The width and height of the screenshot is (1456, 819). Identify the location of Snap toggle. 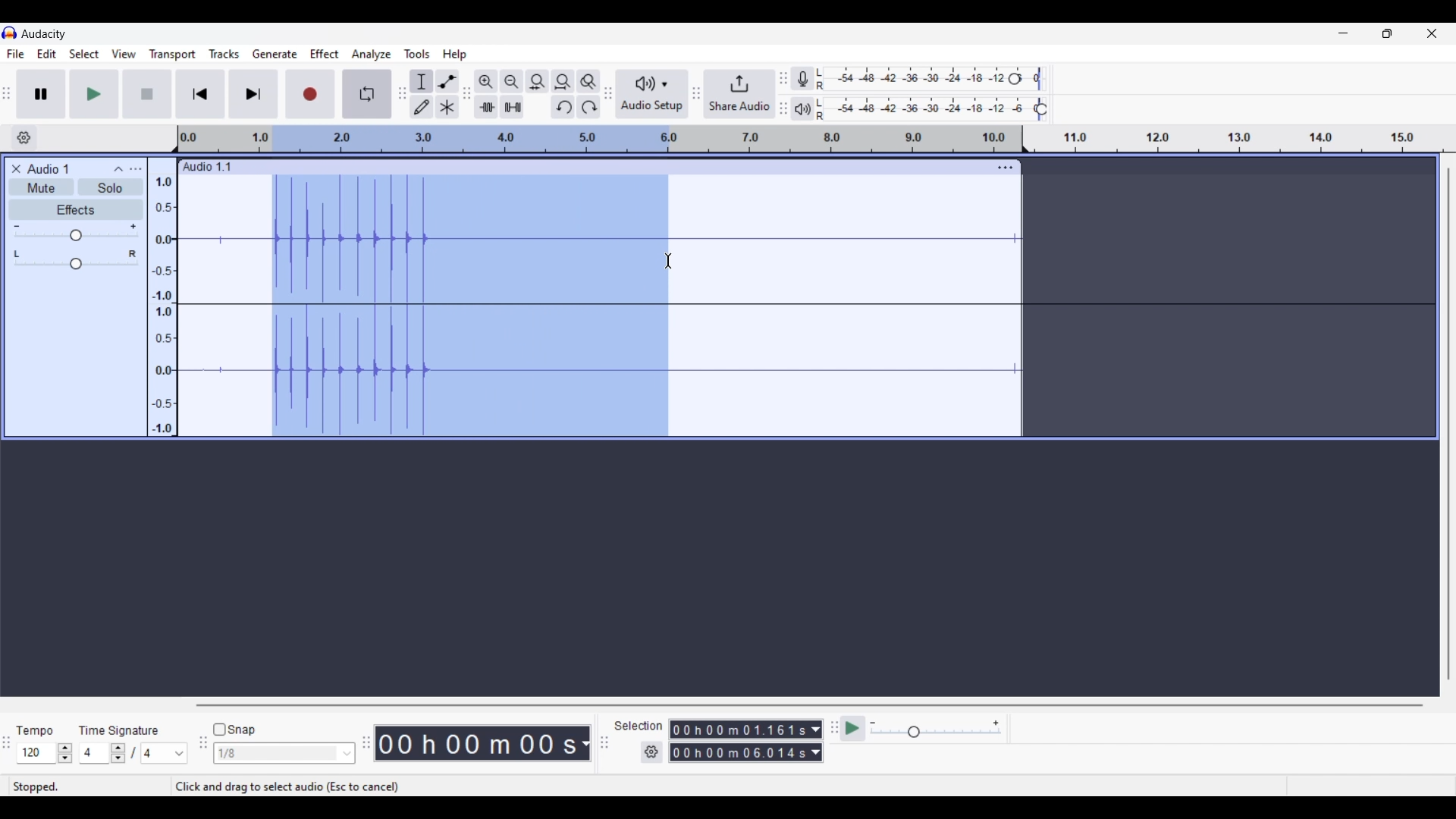
(234, 730).